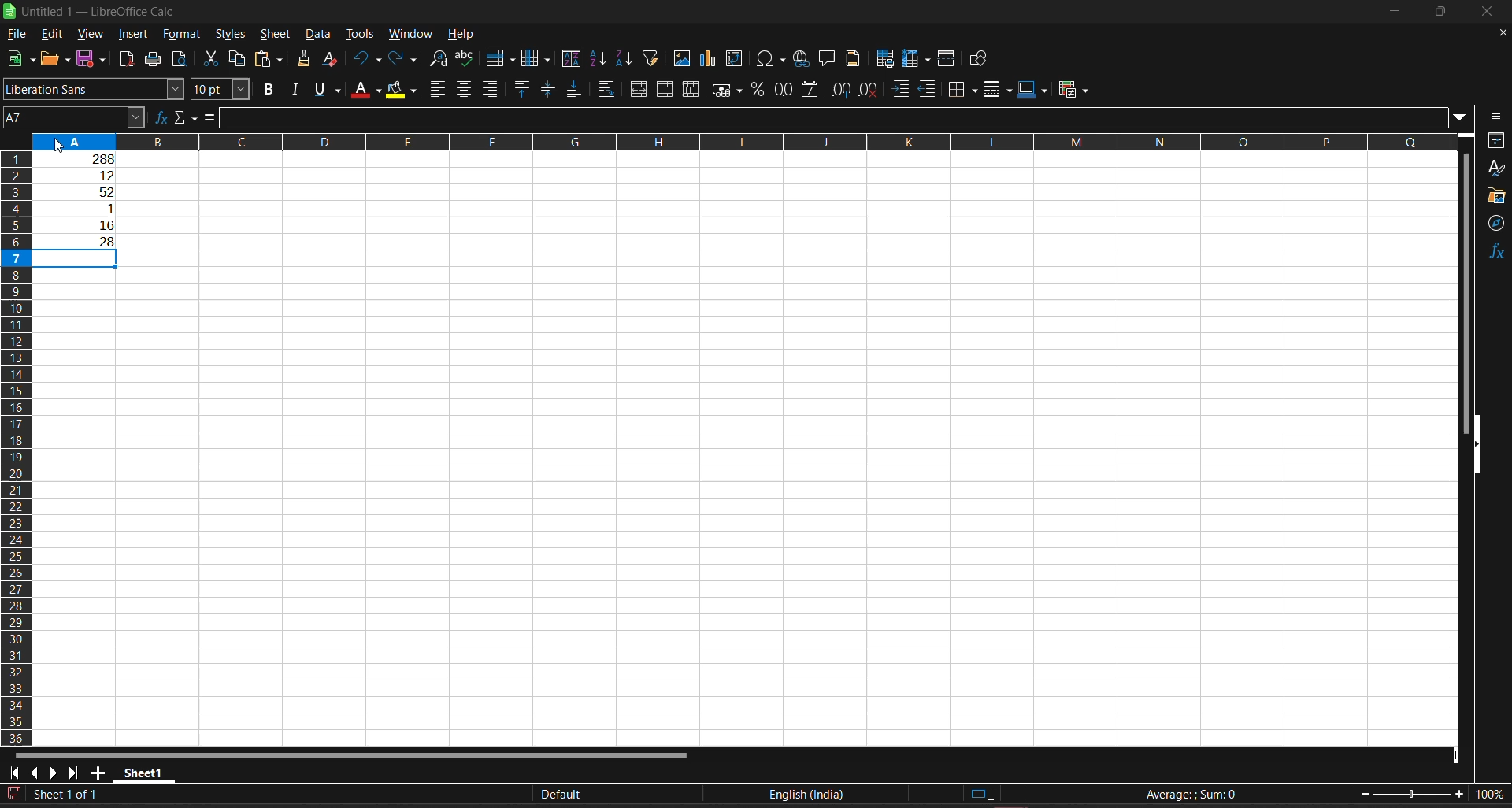 Image resolution: width=1512 pixels, height=808 pixels. What do you see at coordinates (808, 90) in the screenshot?
I see `format as date` at bounding box center [808, 90].